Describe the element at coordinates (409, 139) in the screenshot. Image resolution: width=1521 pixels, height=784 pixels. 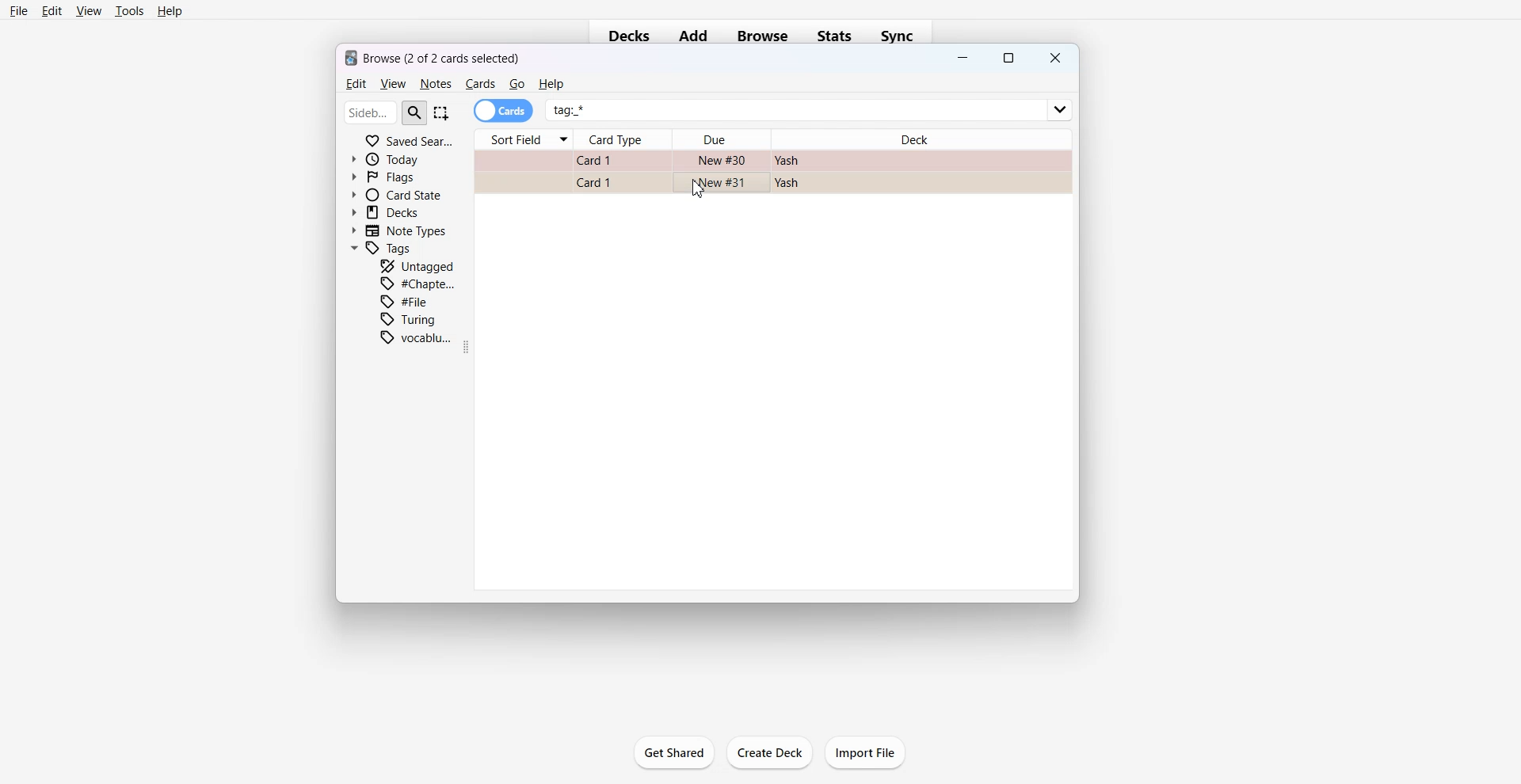
I see `Saved Search` at that location.